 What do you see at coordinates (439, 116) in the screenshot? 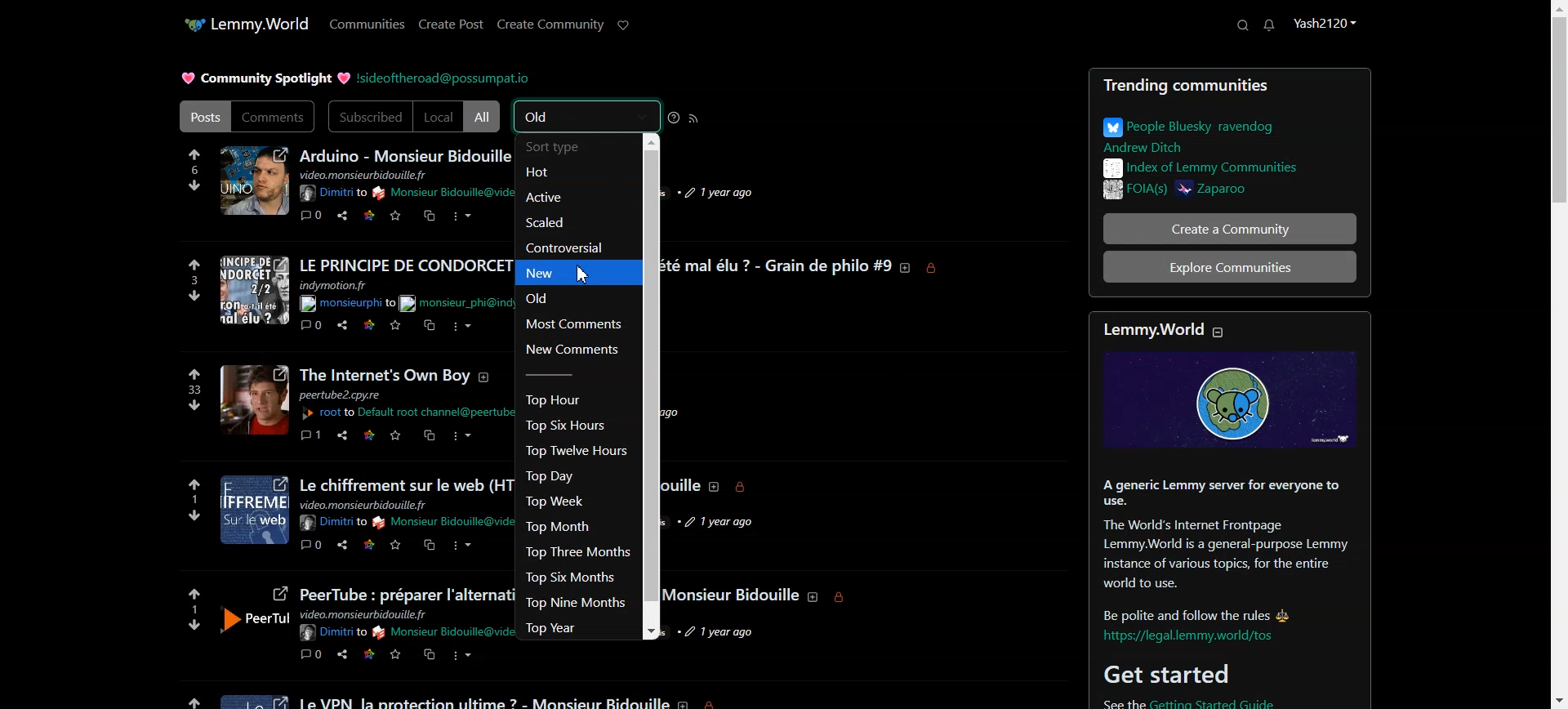
I see `Local` at bounding box center [439, 116].